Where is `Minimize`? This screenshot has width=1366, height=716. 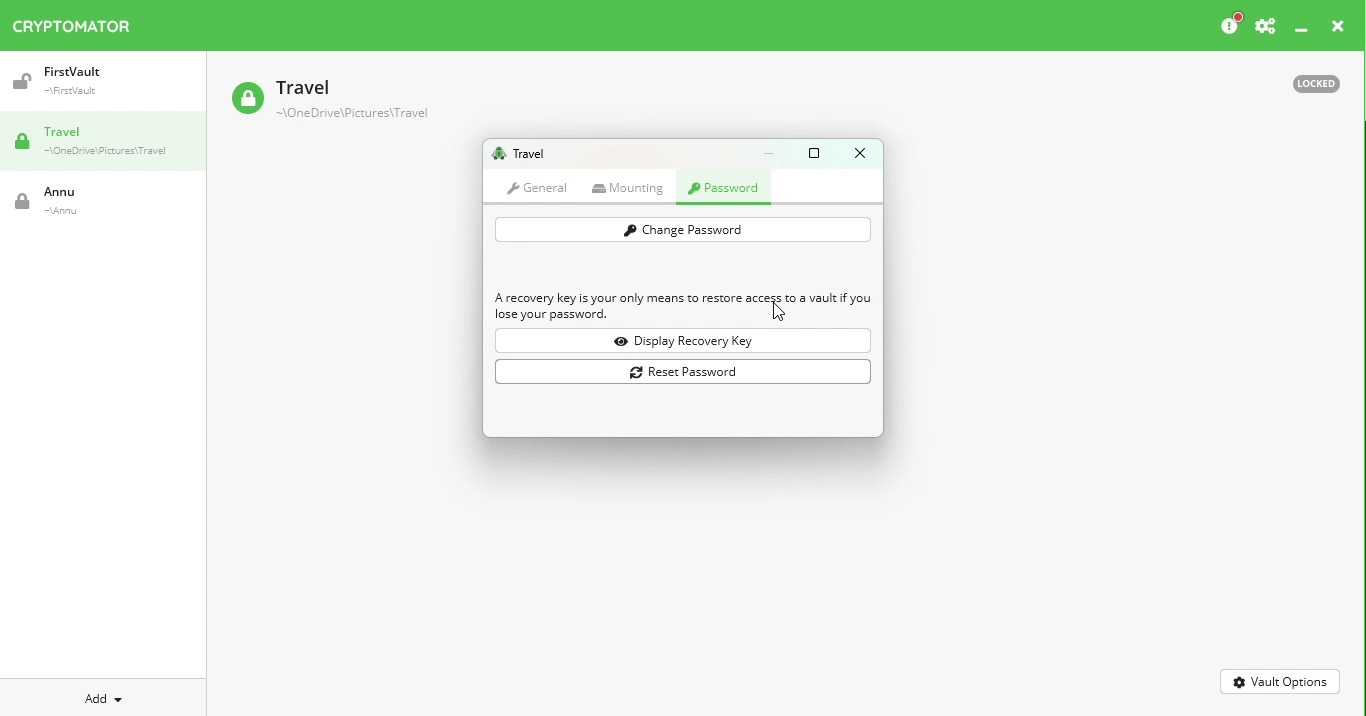
Minimize is located at coordinates (1302, 31).